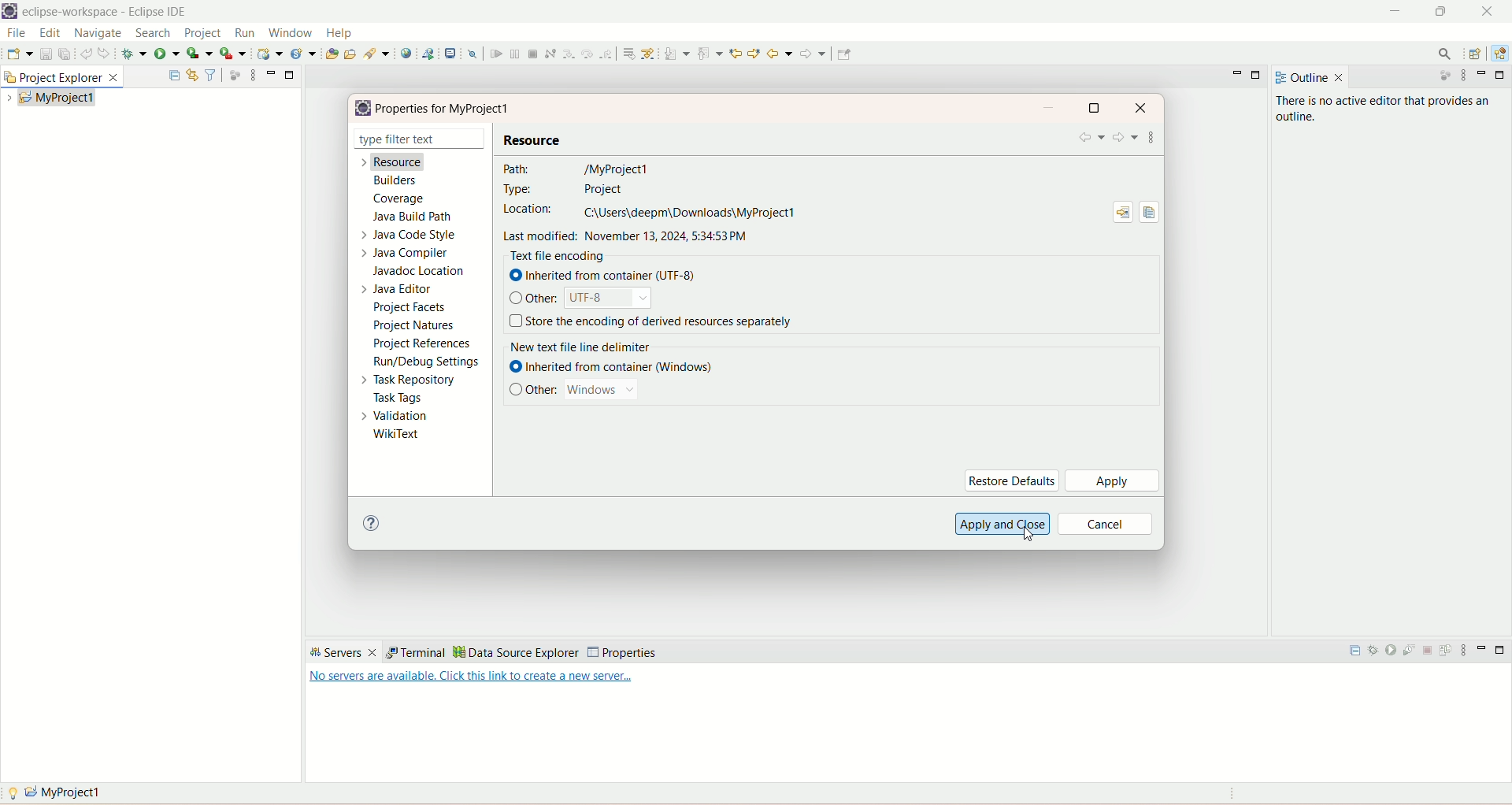 The image size is (1512, 805). I want to click on view menu, so click(1467, 651).